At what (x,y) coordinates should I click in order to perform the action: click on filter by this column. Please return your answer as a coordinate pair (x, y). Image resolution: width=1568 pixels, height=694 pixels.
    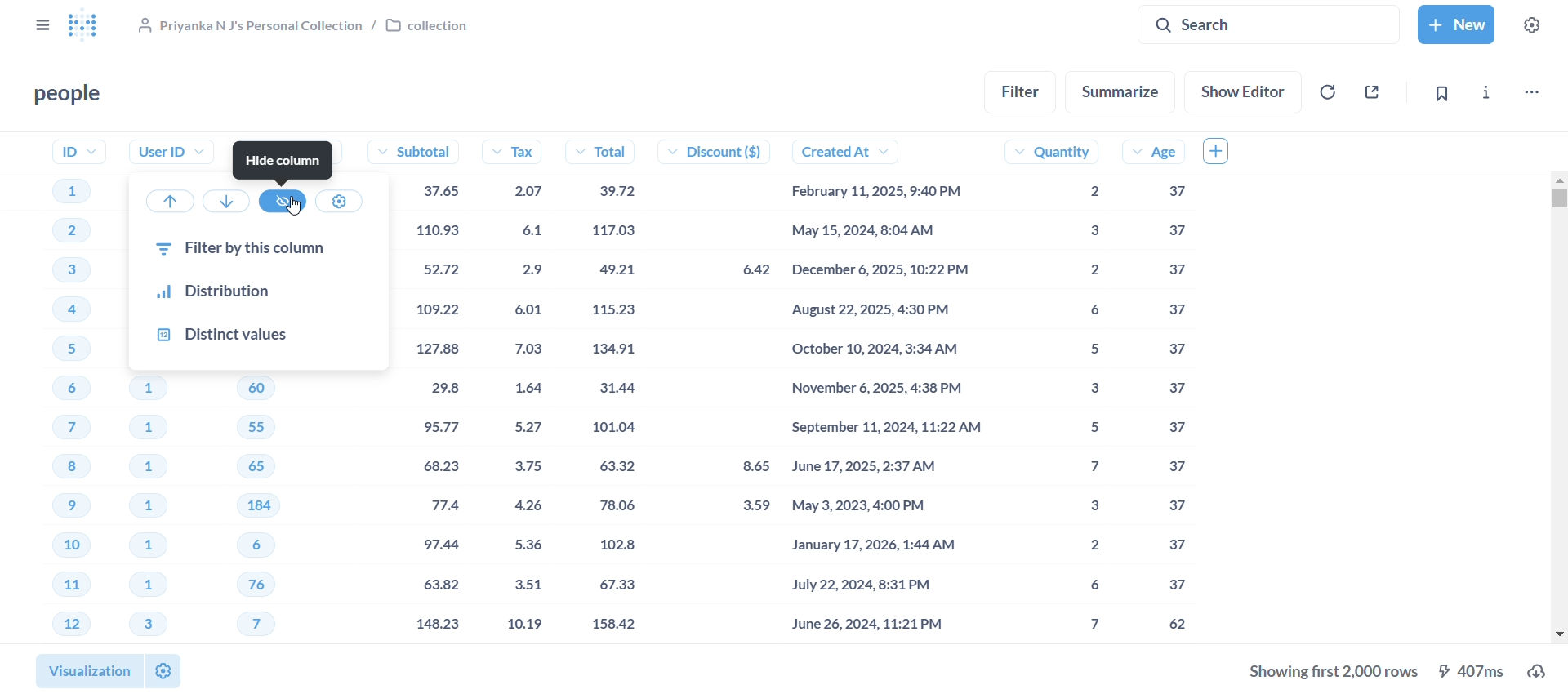
    Looking at the image, I should click on (256, 249).